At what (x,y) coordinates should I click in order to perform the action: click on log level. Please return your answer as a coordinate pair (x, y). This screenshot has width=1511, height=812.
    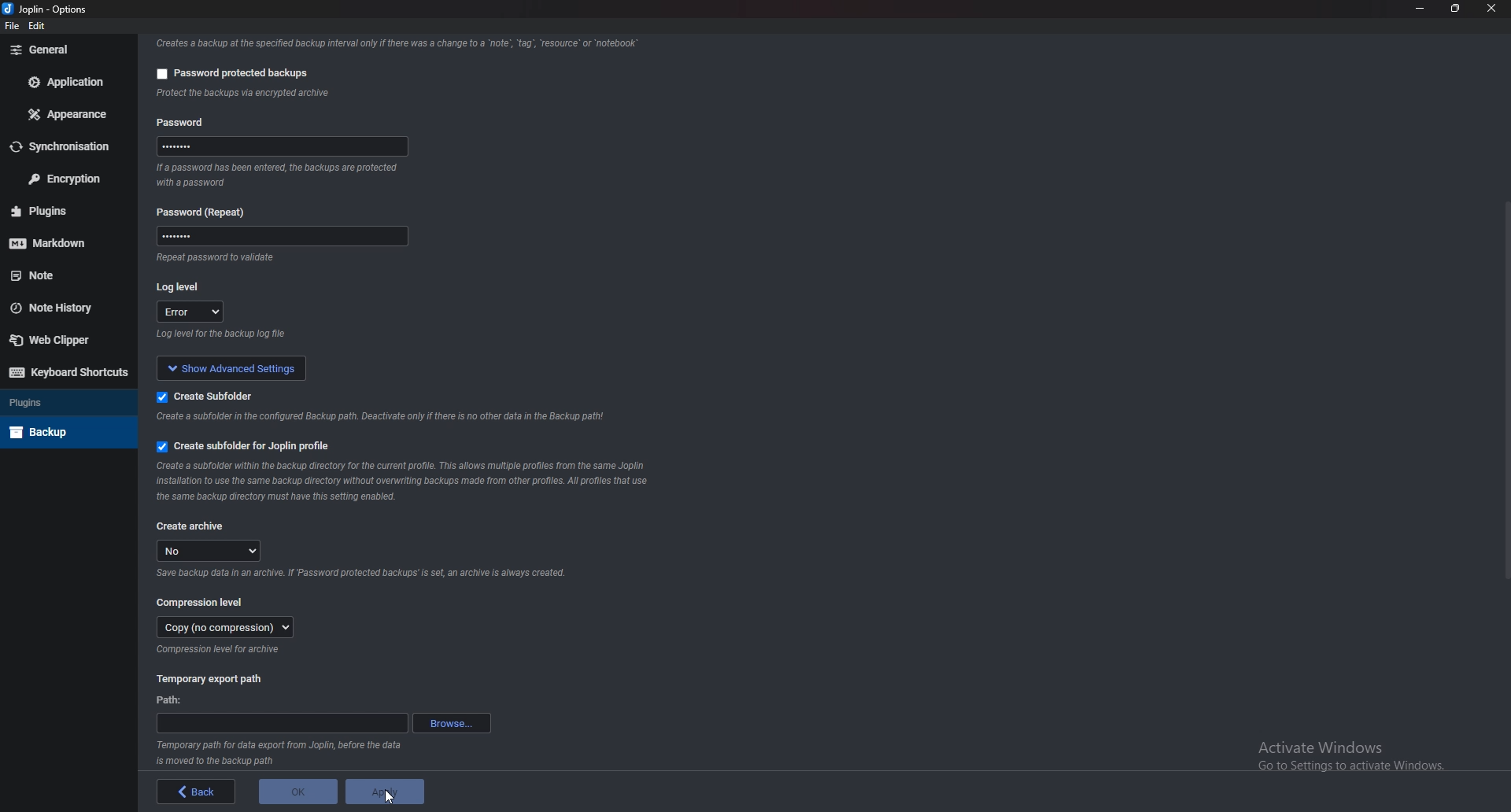
    Looking at the image, I should click on (184, 286).